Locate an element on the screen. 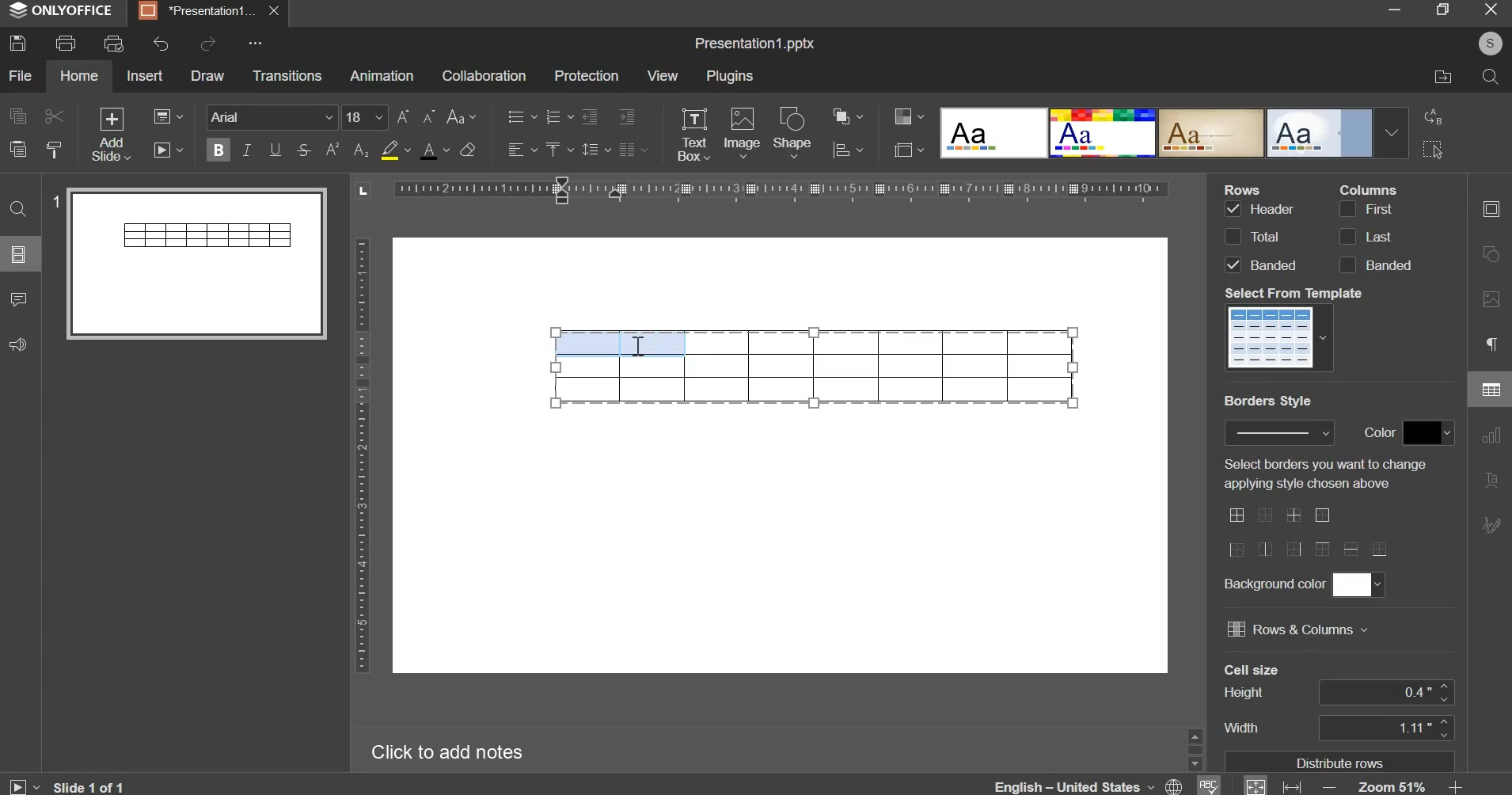 The image size is (1512, 795). find is located at coordinates (19, 209).